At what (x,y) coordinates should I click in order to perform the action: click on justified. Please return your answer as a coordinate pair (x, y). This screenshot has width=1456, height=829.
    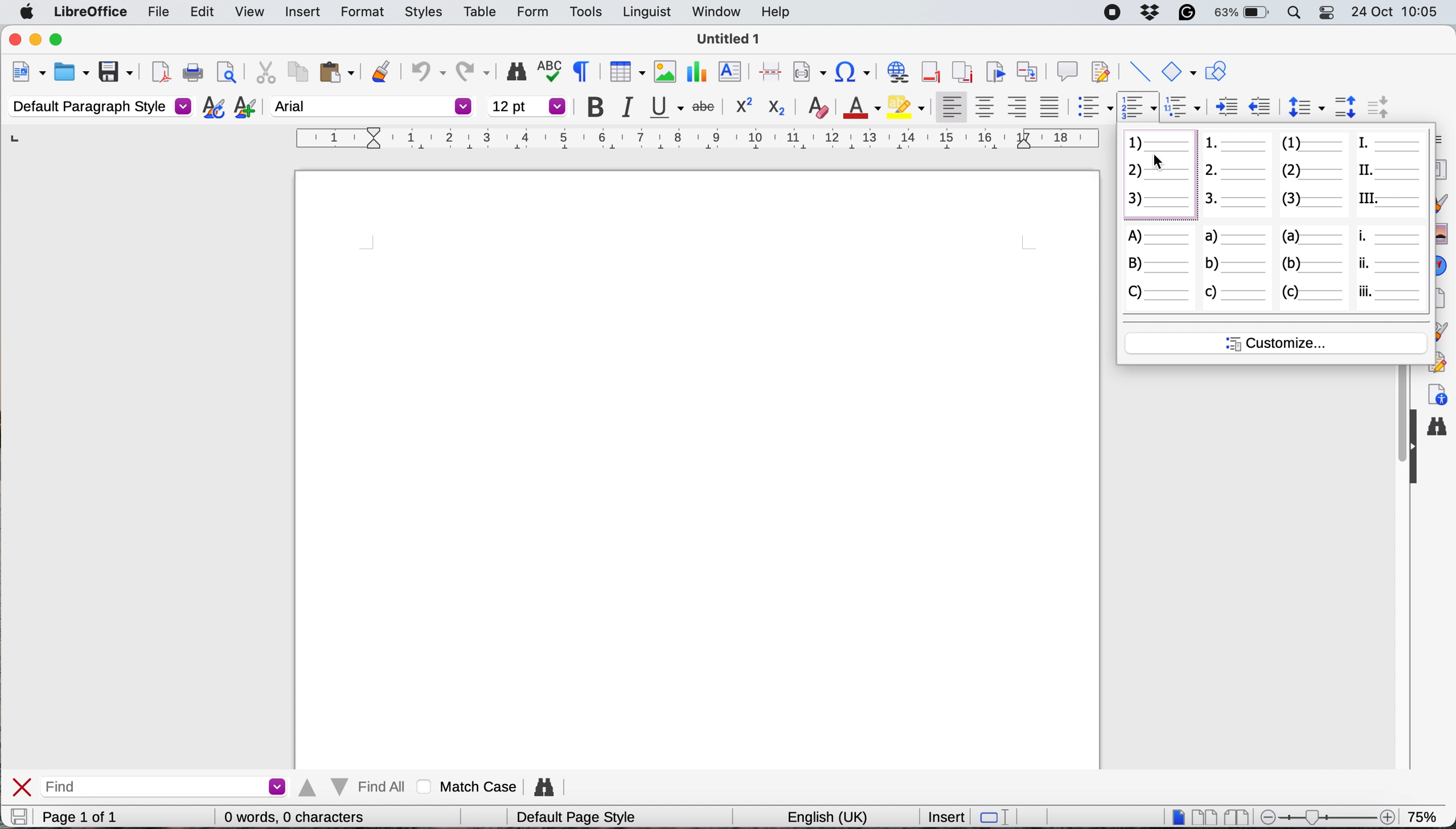
    Looking at the image, I should click on (1053, 106).